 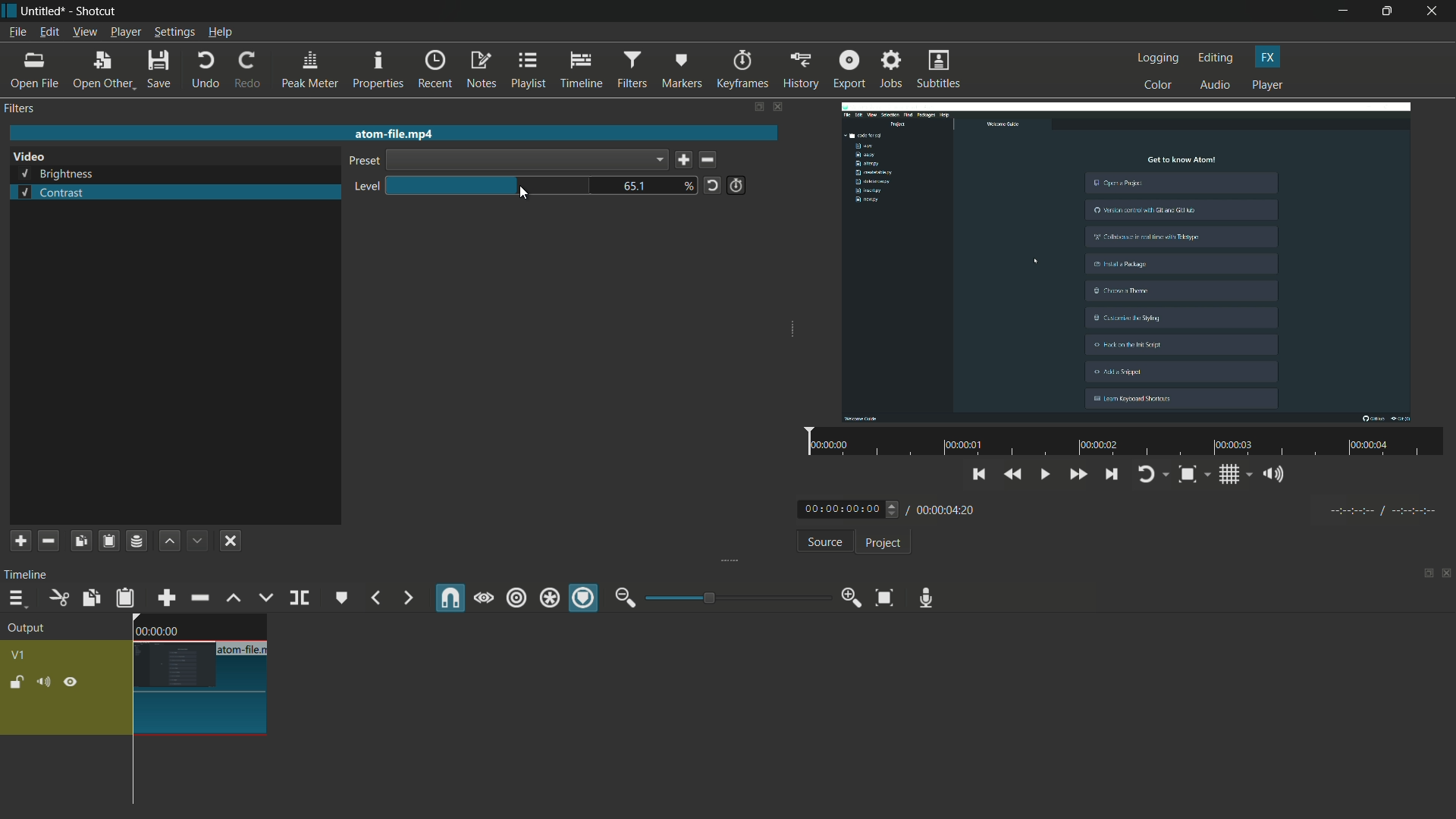 What do you see at coordinates (205, 70) in the screenshot?
I see `undo` at bounding box center [205, 70].